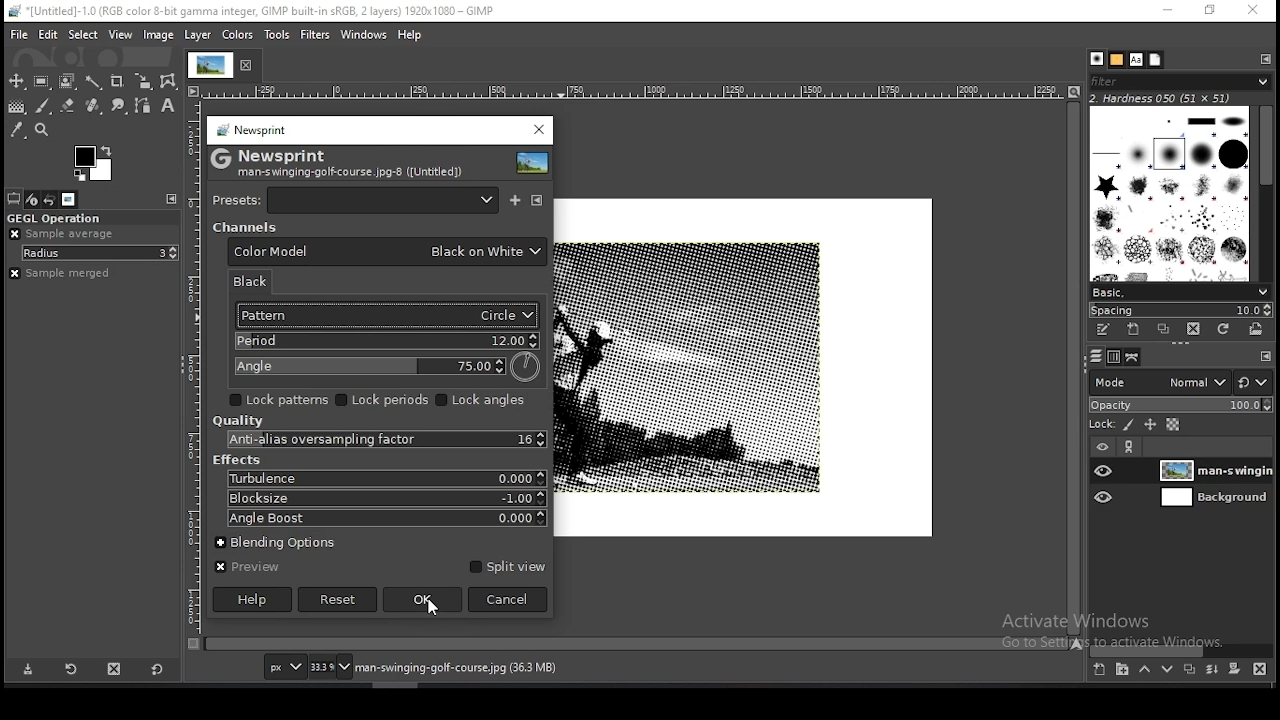 This screenshot has width=1280, height=720. What do you see at coordinates (120, 35) in the screenshot?
I see `view` at bounding box center [120, 35].